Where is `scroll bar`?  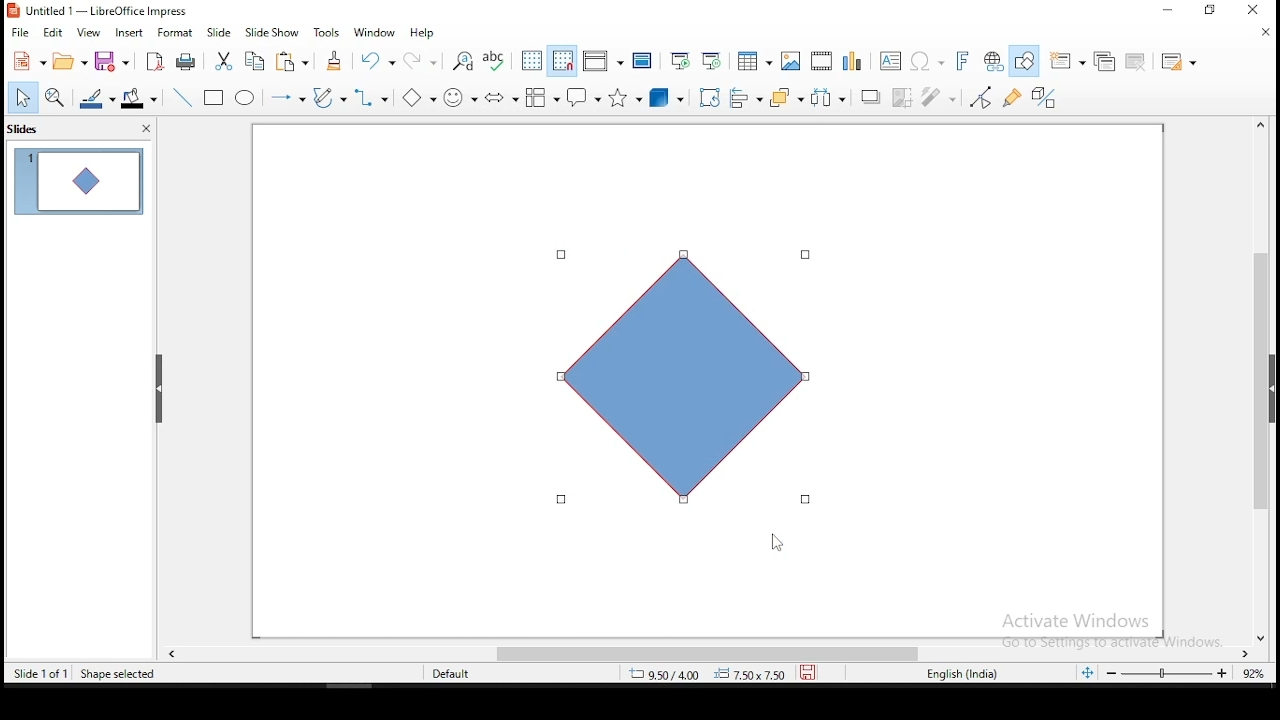
scroll bar is located at coordinates (687, 651).